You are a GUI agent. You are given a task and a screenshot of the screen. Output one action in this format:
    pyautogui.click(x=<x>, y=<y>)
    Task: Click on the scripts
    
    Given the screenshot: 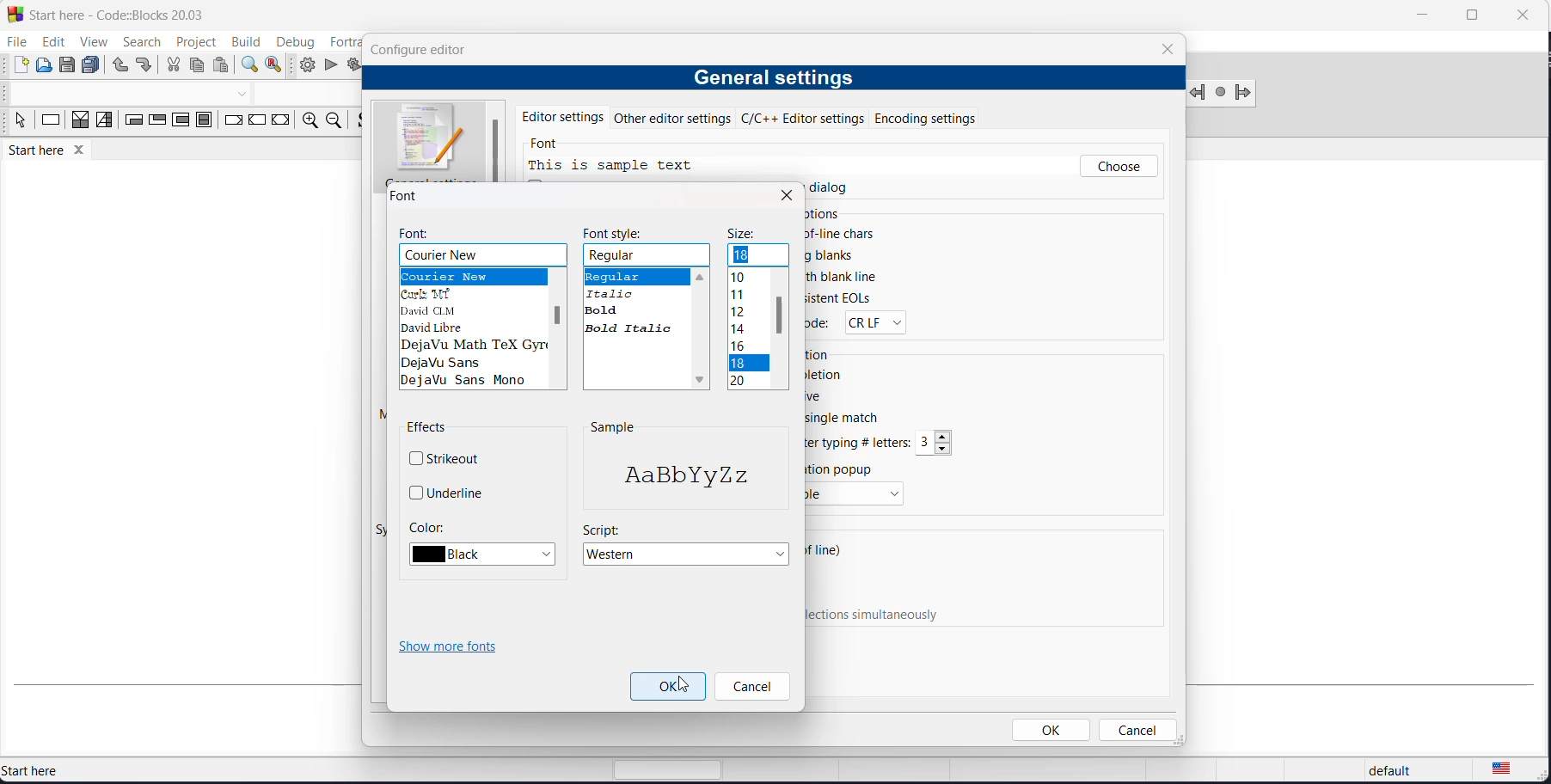 What is the action you would take?
    pyautogui.click(x=602, y=529)
    